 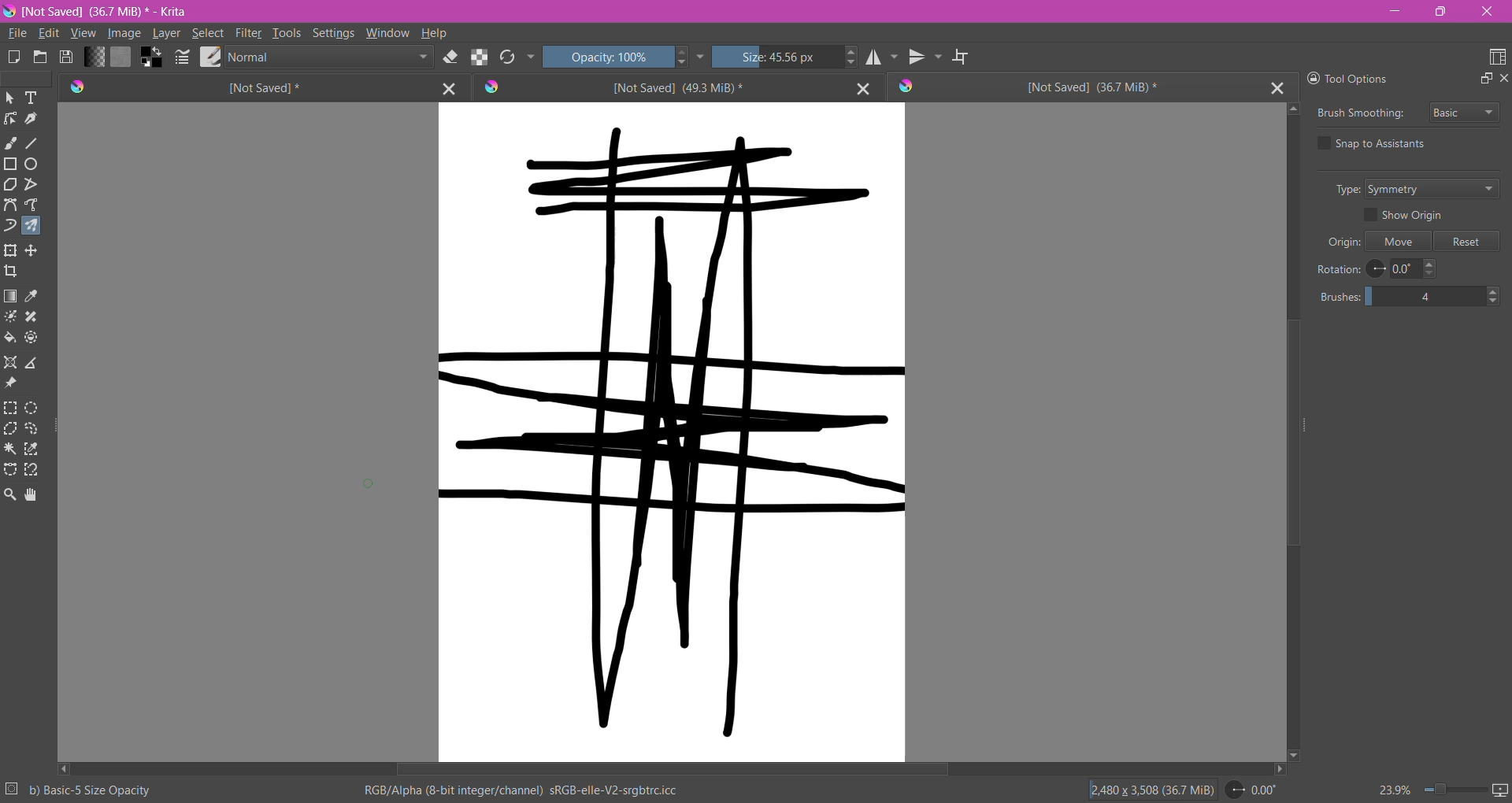 What do you see at coordinates (1409, 216) in the screenshot?
I see `Show Origin - enable/disable` at bounding box center [1409, 216].